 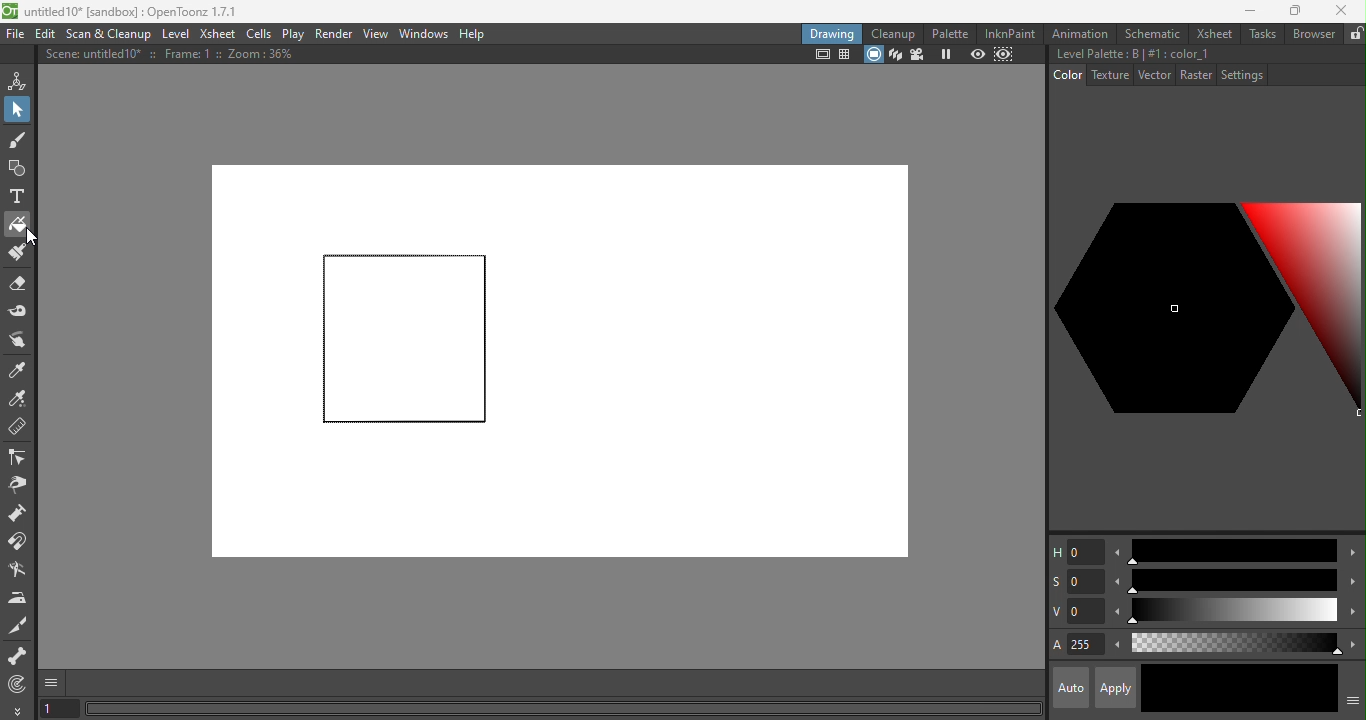 What do you see at coordinates (832, 33) in the screenshot?
I see `Drawing` at bounding box center [832, 33].